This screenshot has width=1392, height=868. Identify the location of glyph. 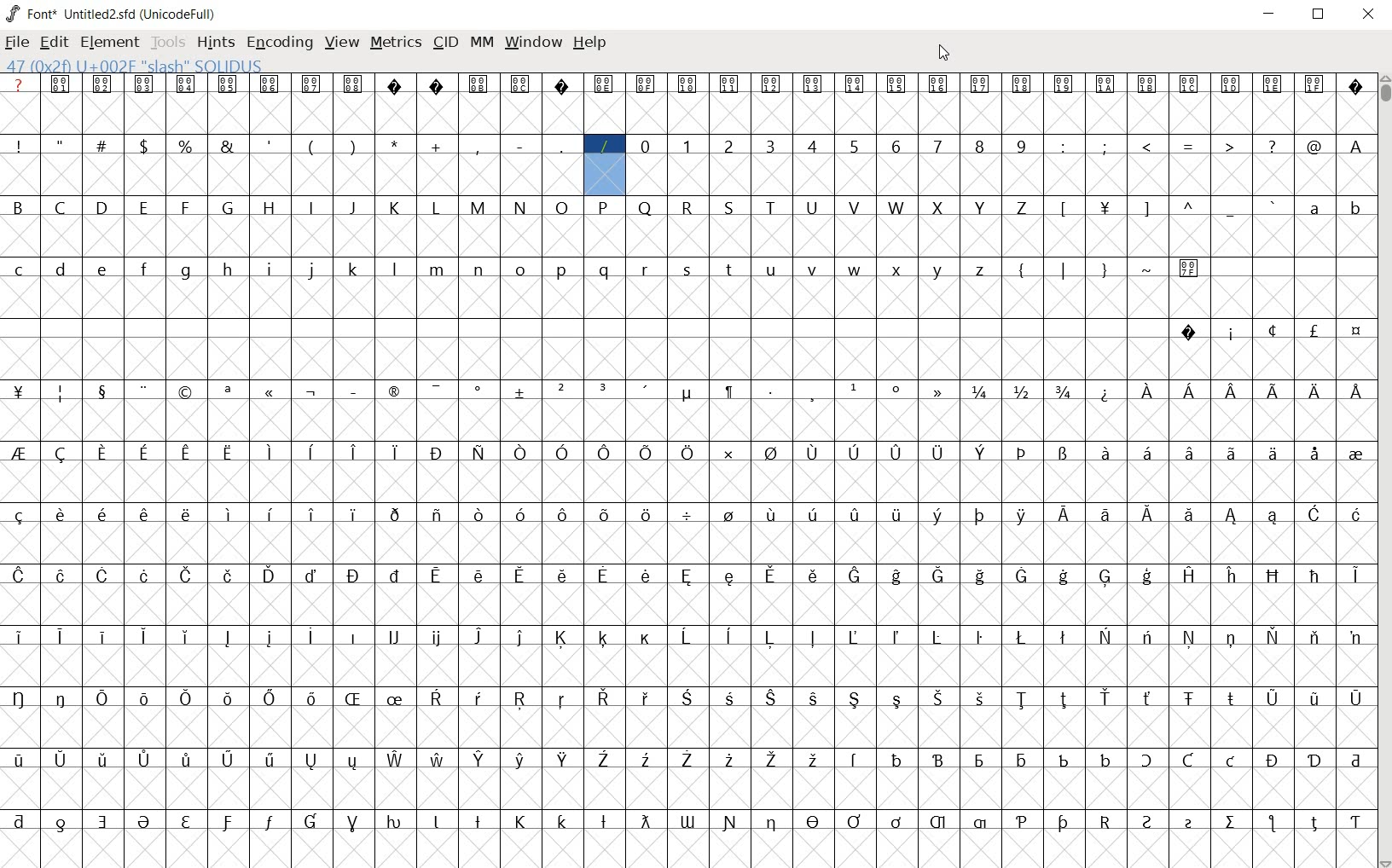
(61, 825).